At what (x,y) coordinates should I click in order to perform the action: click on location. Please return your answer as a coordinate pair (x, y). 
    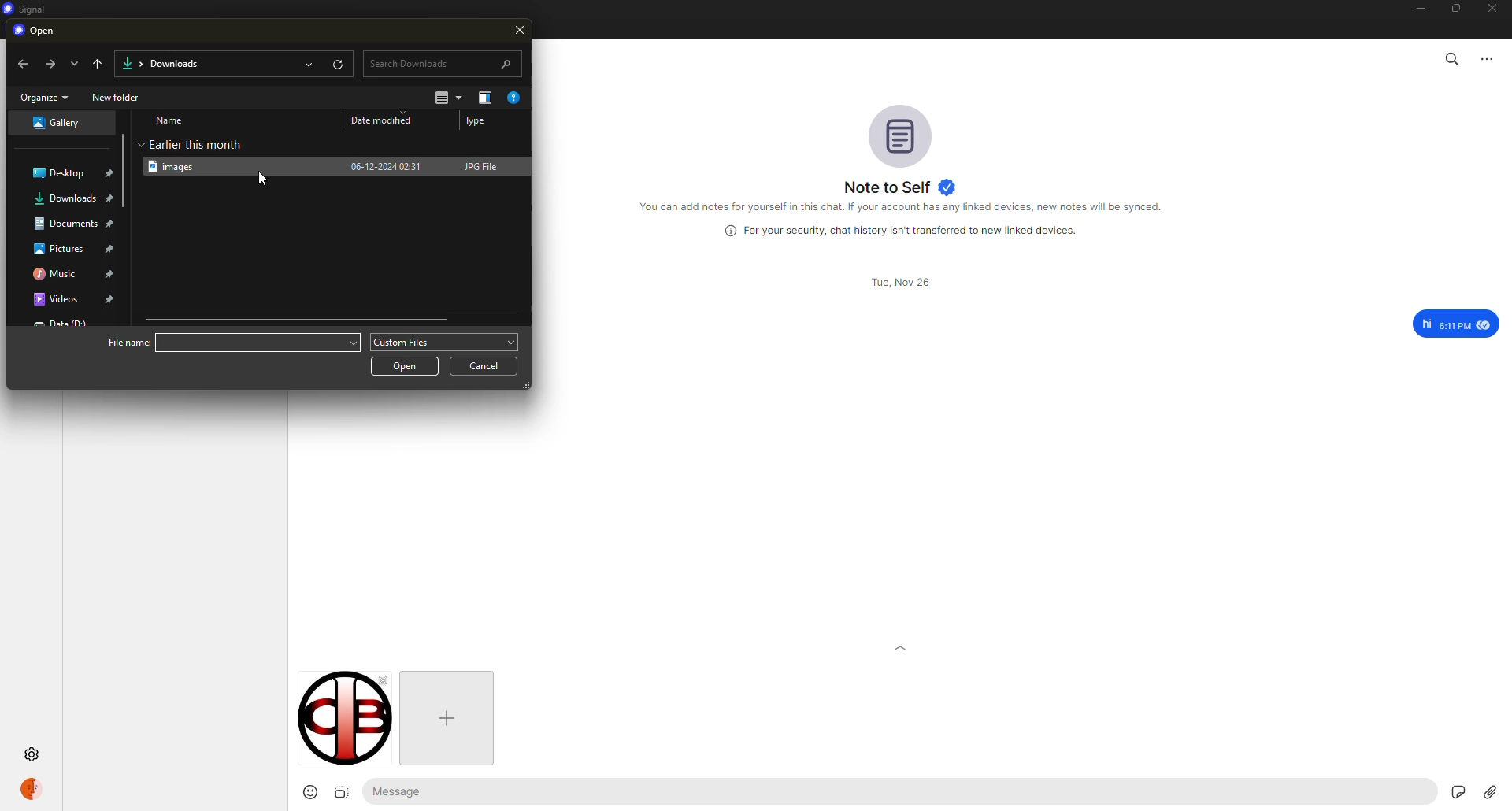
    Looking at the image, I should click on (65, 198).